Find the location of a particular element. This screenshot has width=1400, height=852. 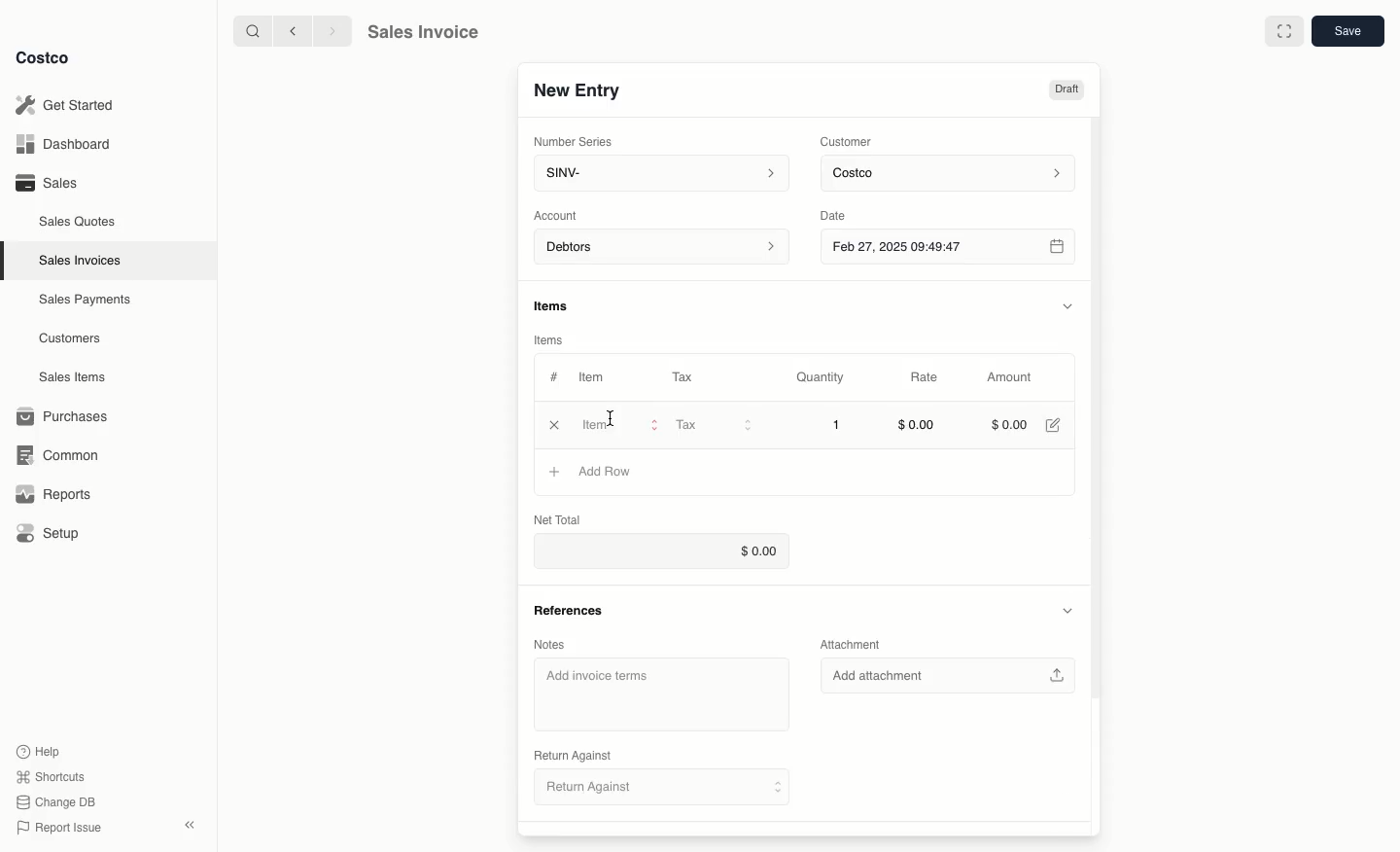

Sales Invoice is located at coordinates (422, 32).